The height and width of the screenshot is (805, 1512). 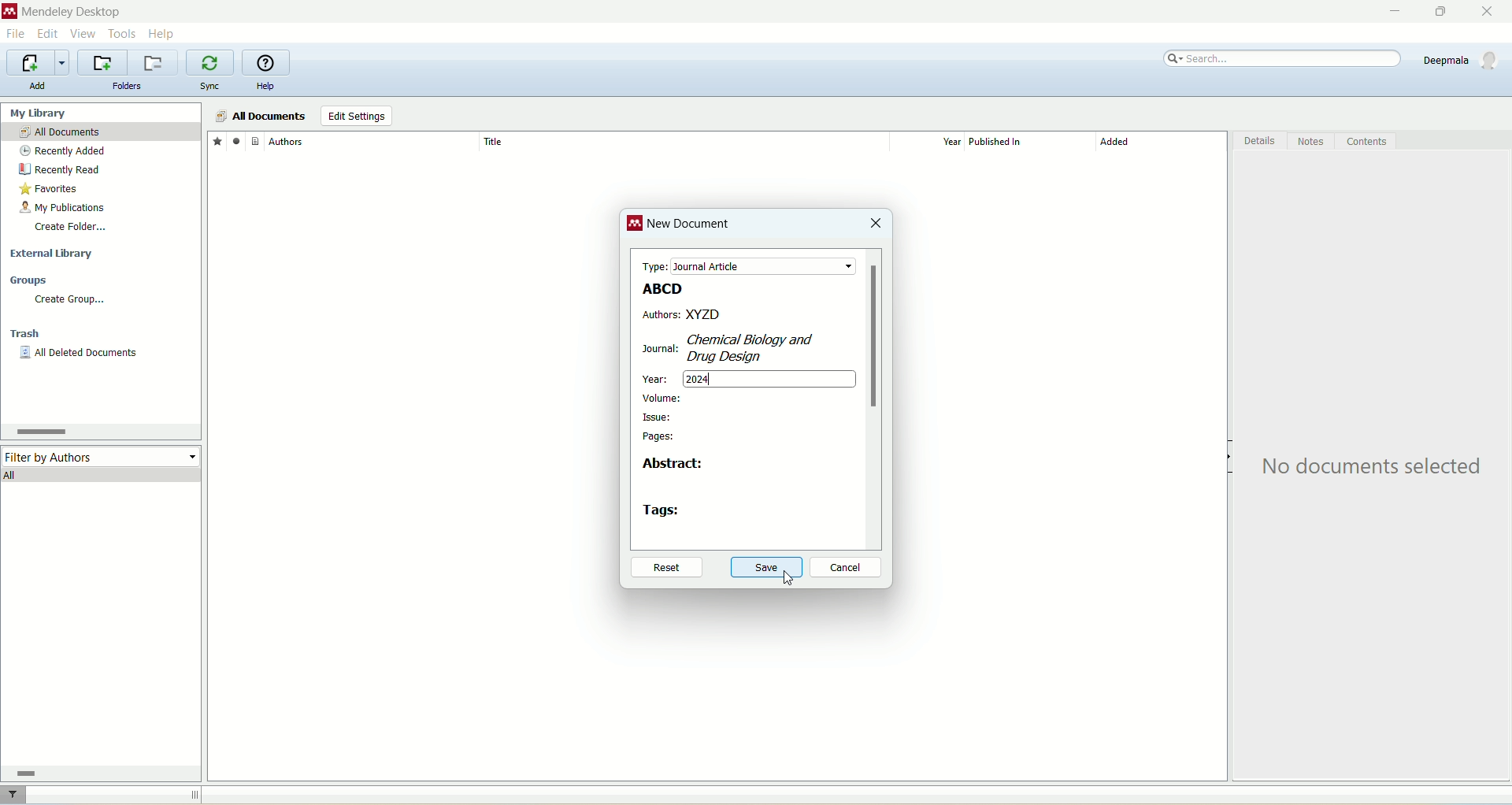 I want to click on added, so click(x=1162, y=146).